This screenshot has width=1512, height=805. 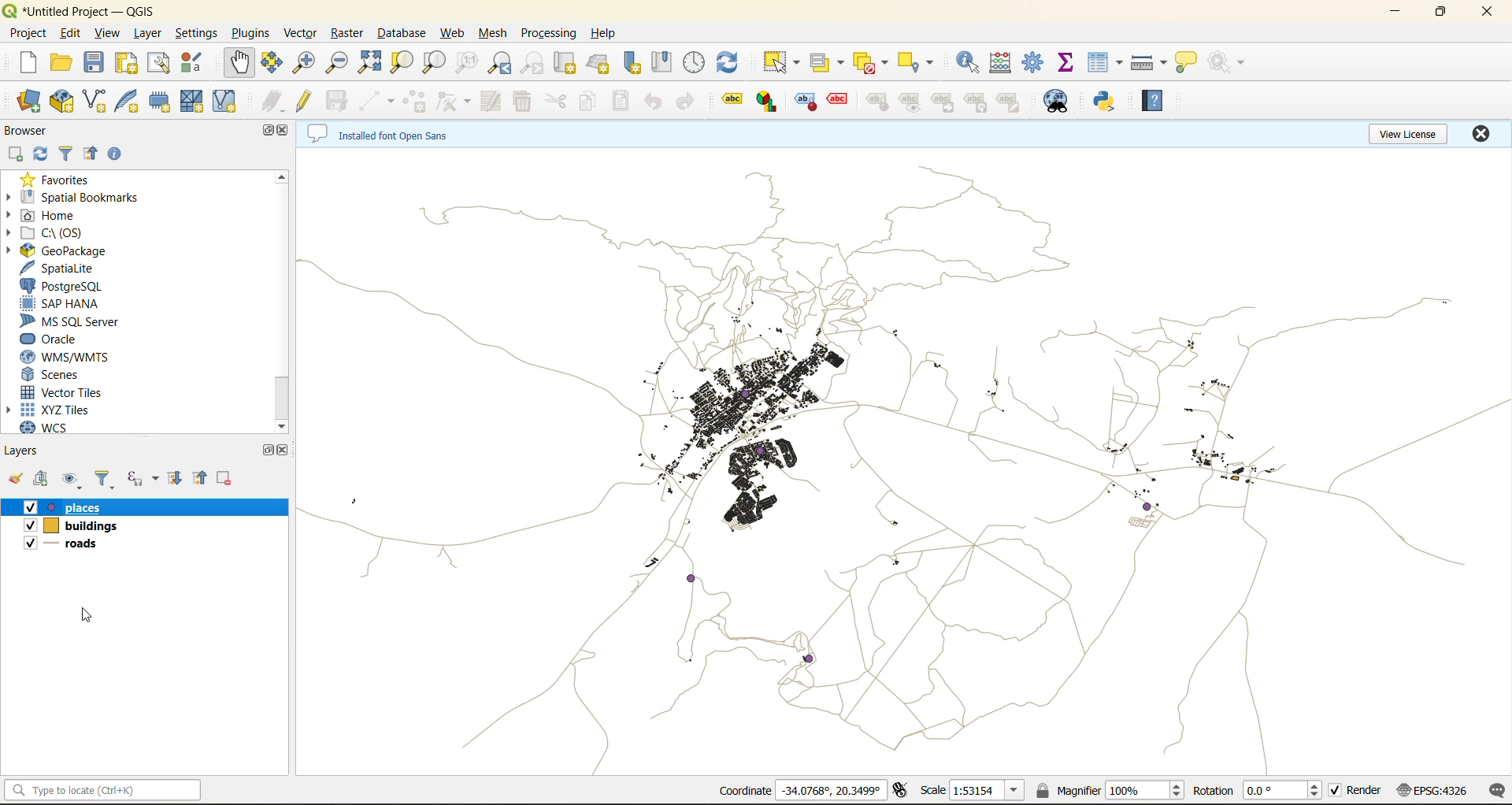 I want to click on expand all, so click(x=175, y=478).